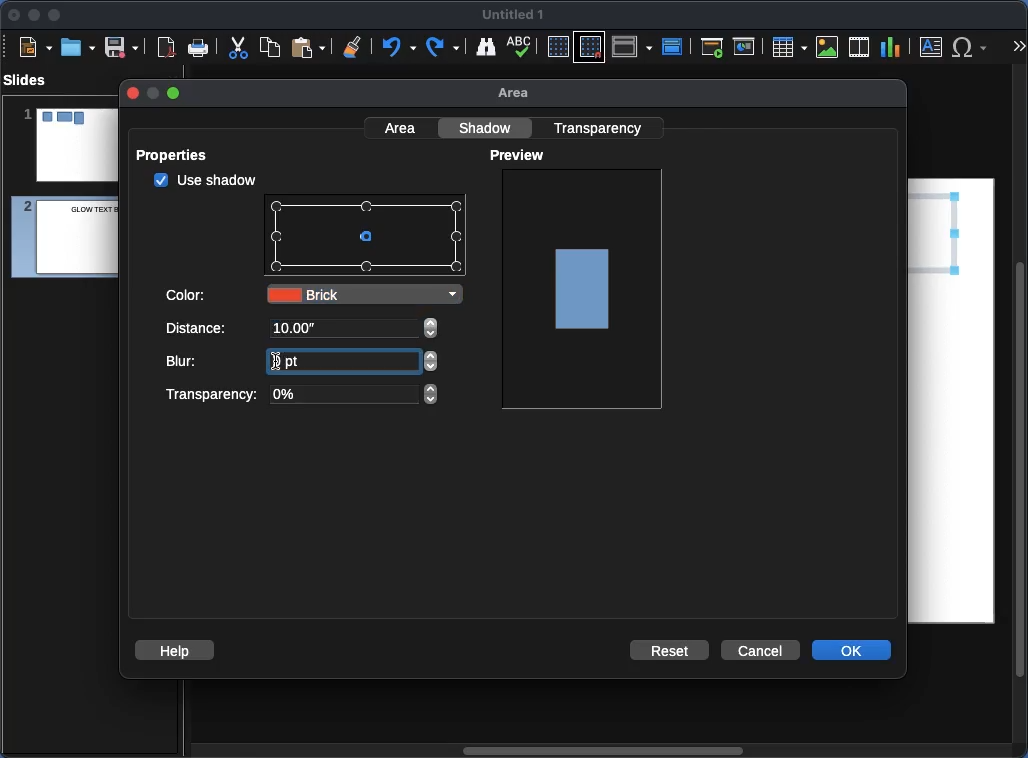  What do you see at coordinates (788, 46) in the screenshot?
I see `Table` at bounding box center [788, 46].